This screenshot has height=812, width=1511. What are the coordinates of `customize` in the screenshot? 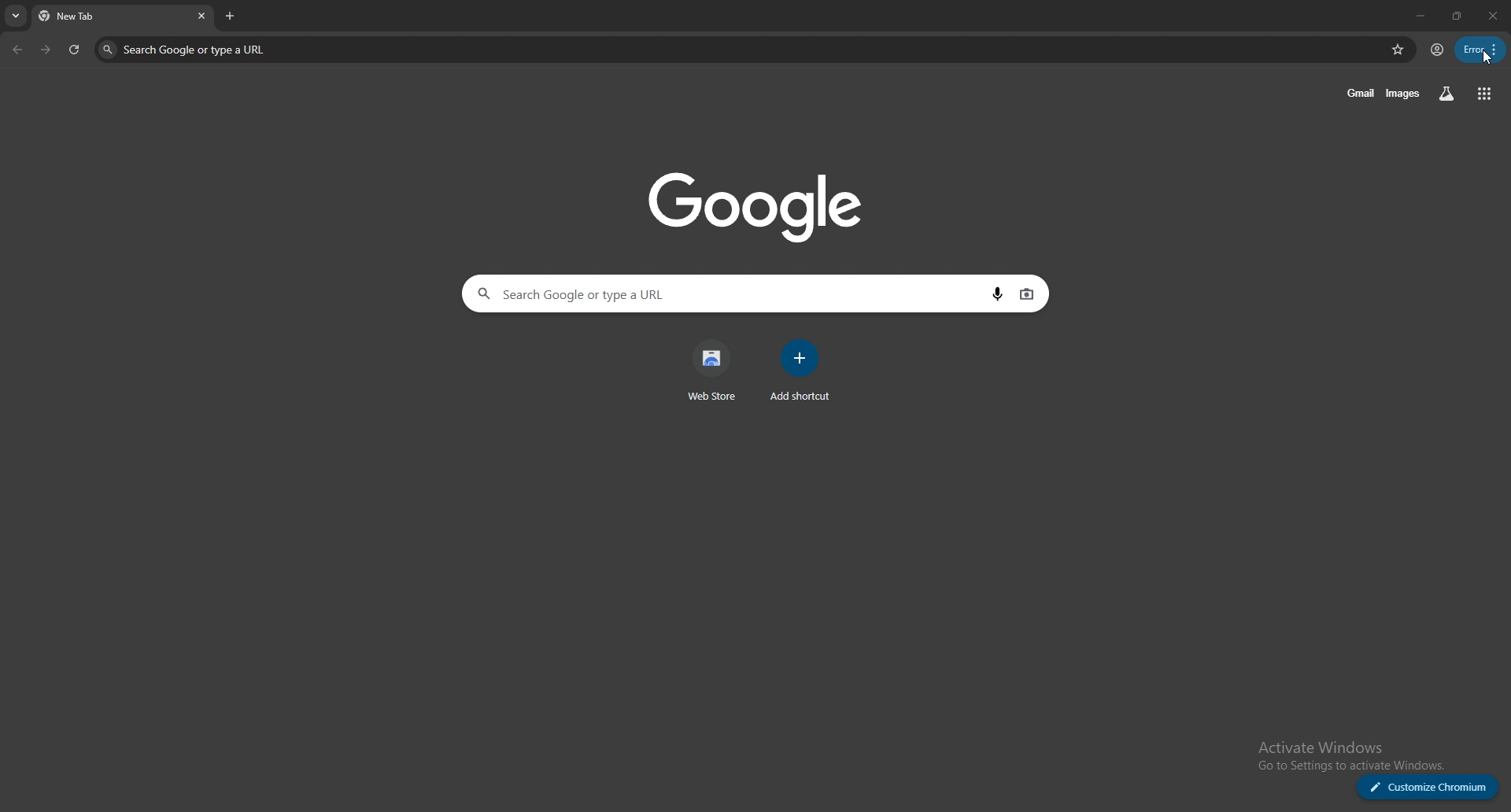 It's located at (1428, 788).